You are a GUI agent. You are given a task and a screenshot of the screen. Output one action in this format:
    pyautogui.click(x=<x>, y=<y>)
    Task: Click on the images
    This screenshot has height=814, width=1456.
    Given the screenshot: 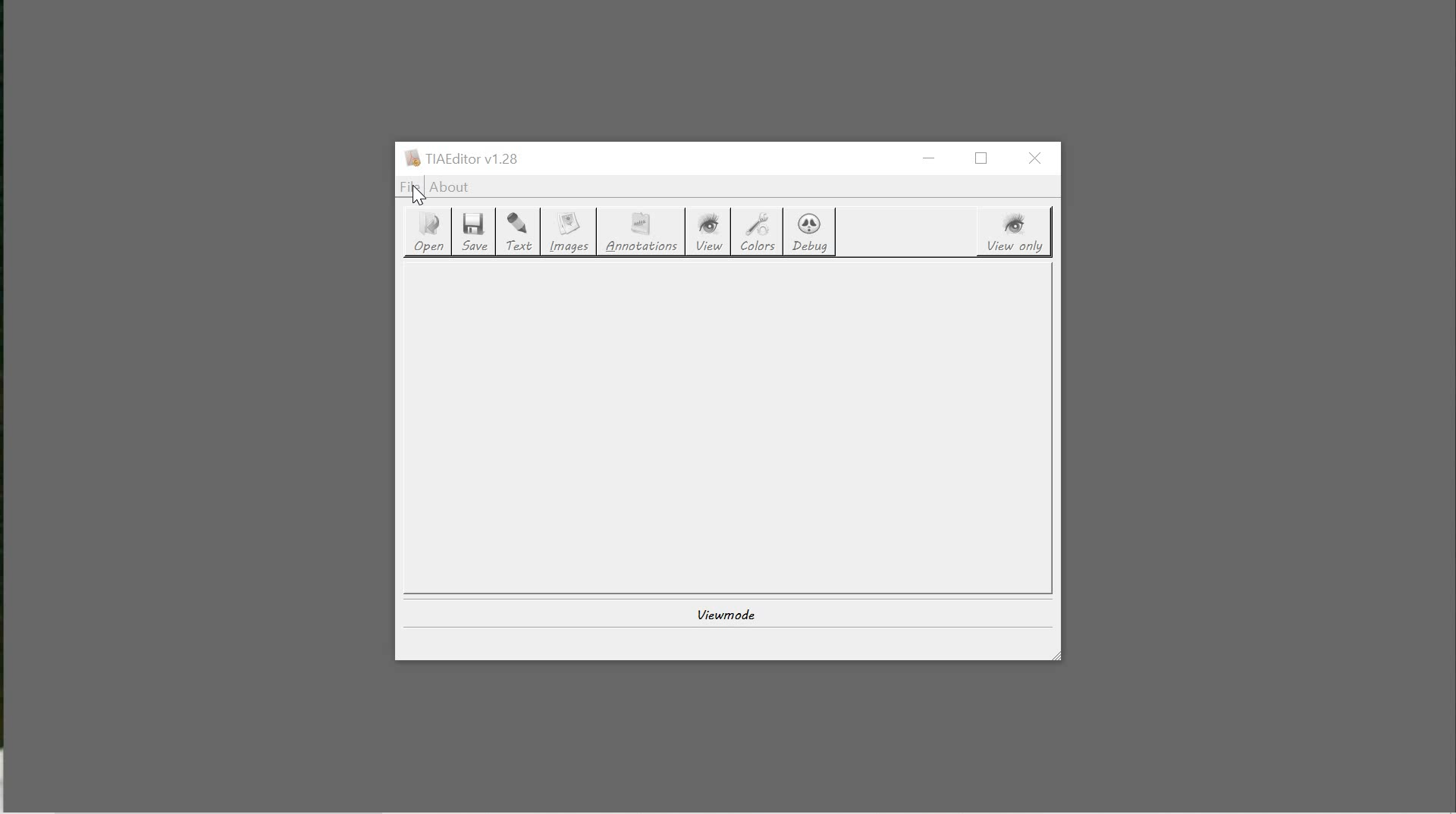 What is the action you would take?
    pyautogui.click(x=571, y=234)
    